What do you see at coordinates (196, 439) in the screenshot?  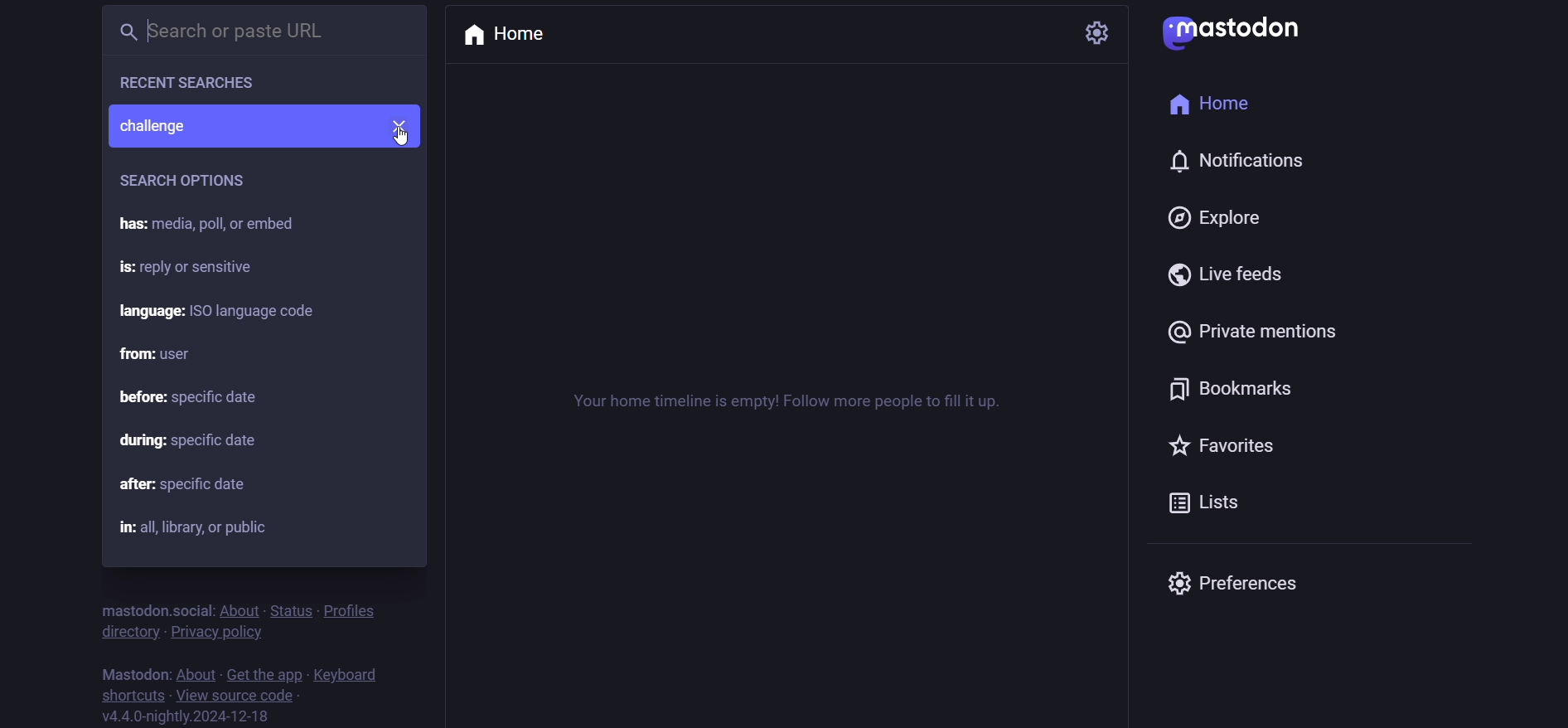 I see `during` at bounding box center [196, 439].